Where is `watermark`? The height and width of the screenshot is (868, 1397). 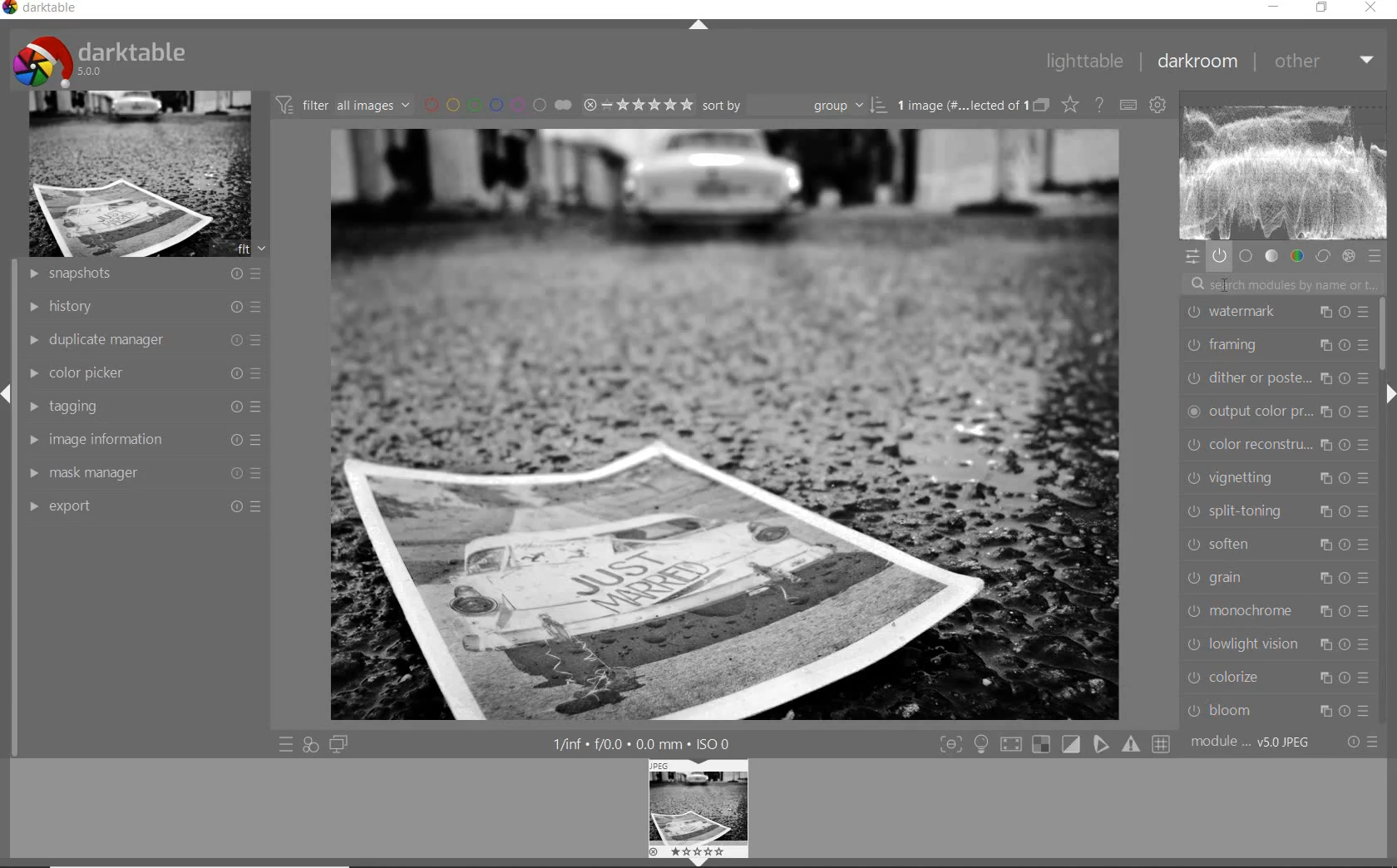
watermark is located at coordinates (1279, 313).